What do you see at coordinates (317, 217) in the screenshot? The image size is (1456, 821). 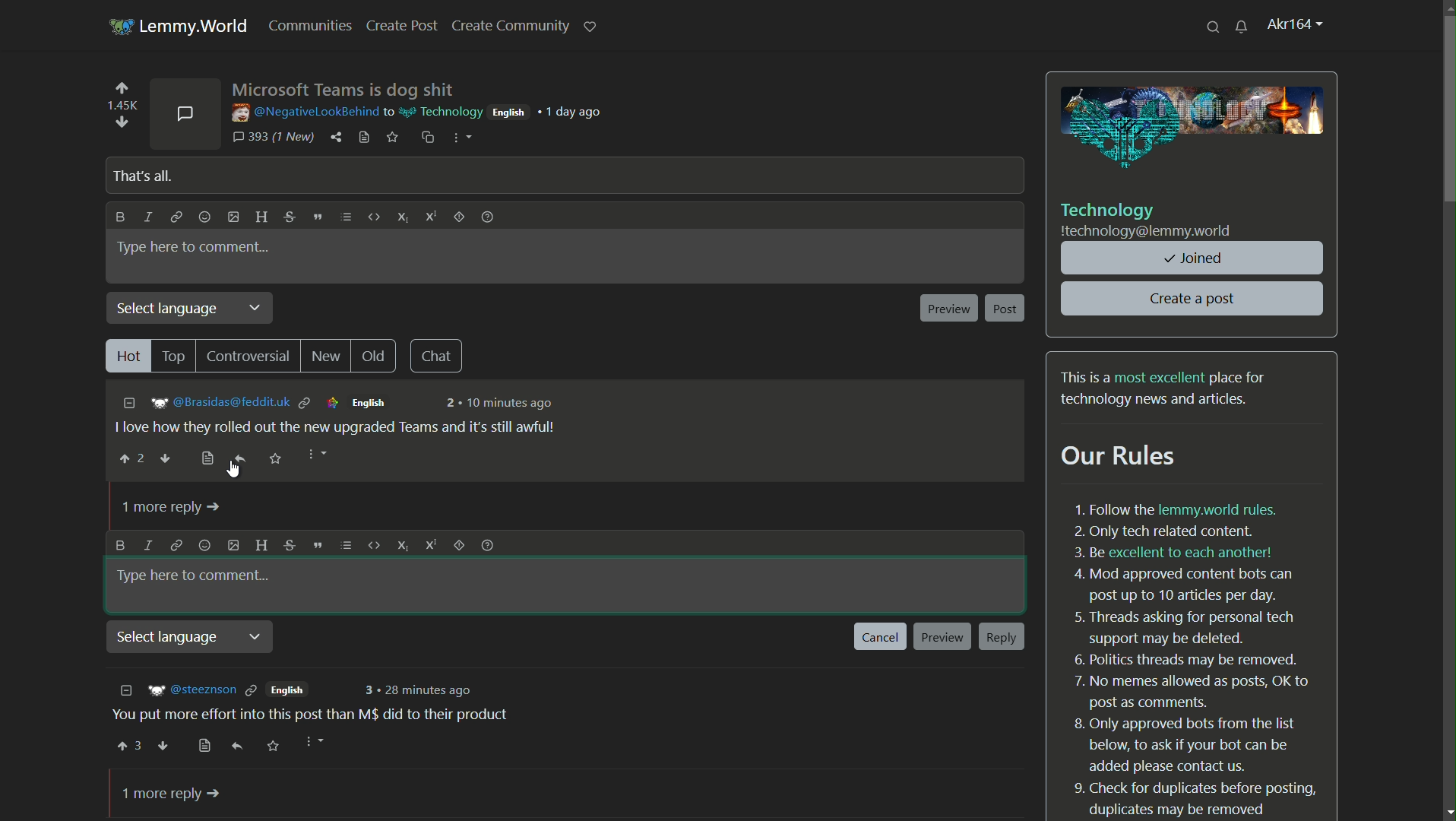 I see `quote` at bounding box center [317, 217].